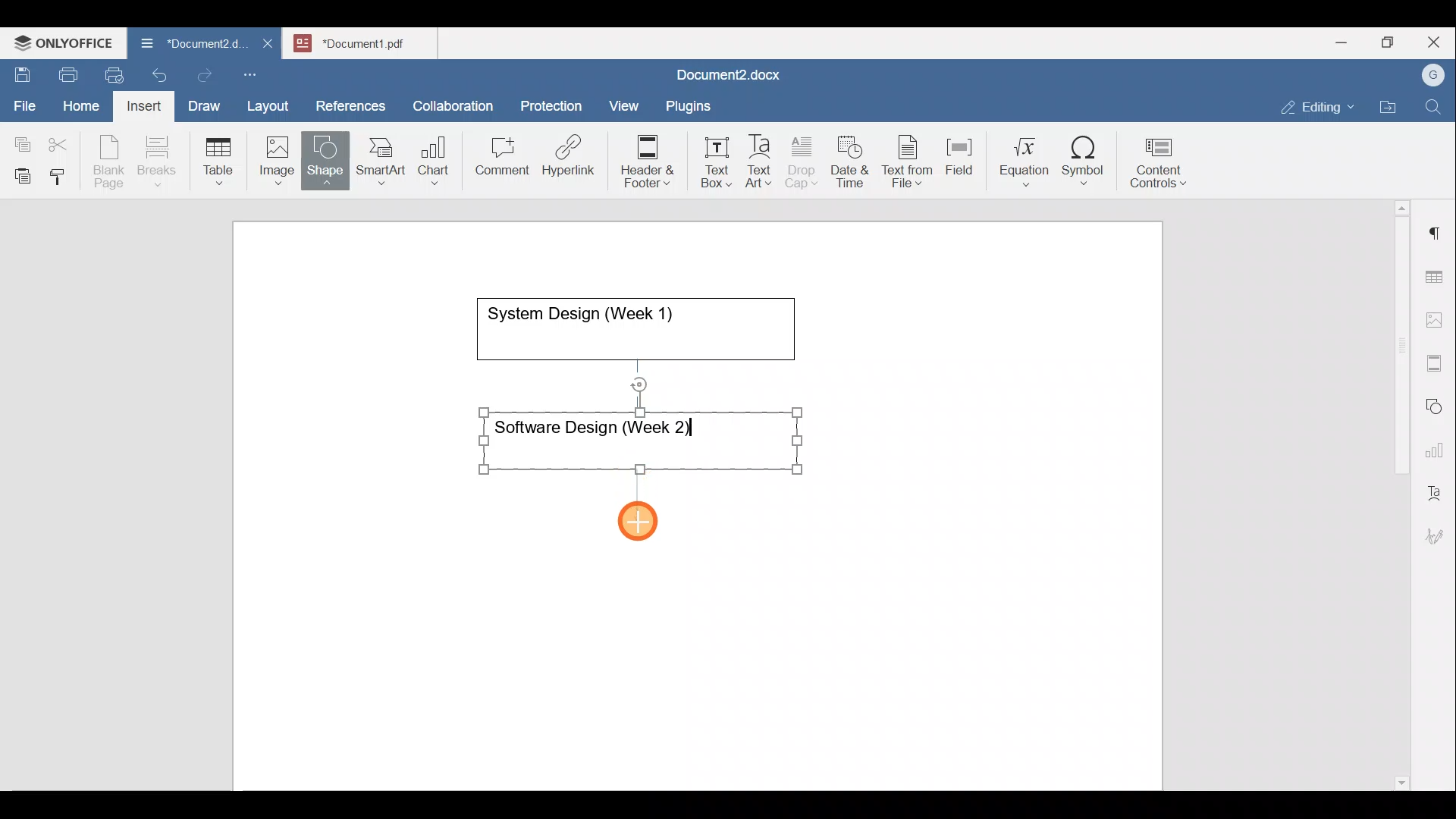 The image size is (1456, 819). I want to click on Chart settings, so click(1438, 444).